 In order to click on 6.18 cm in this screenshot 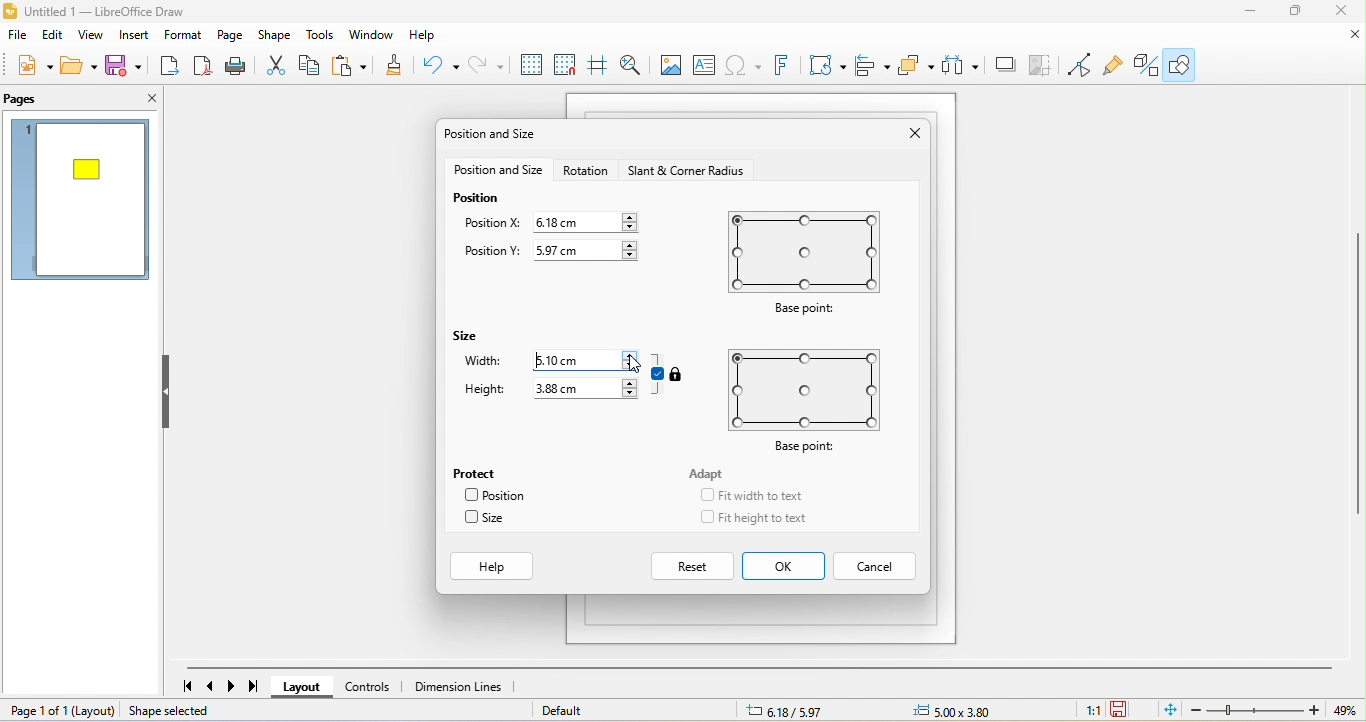, I will do `click(591, 222)`.